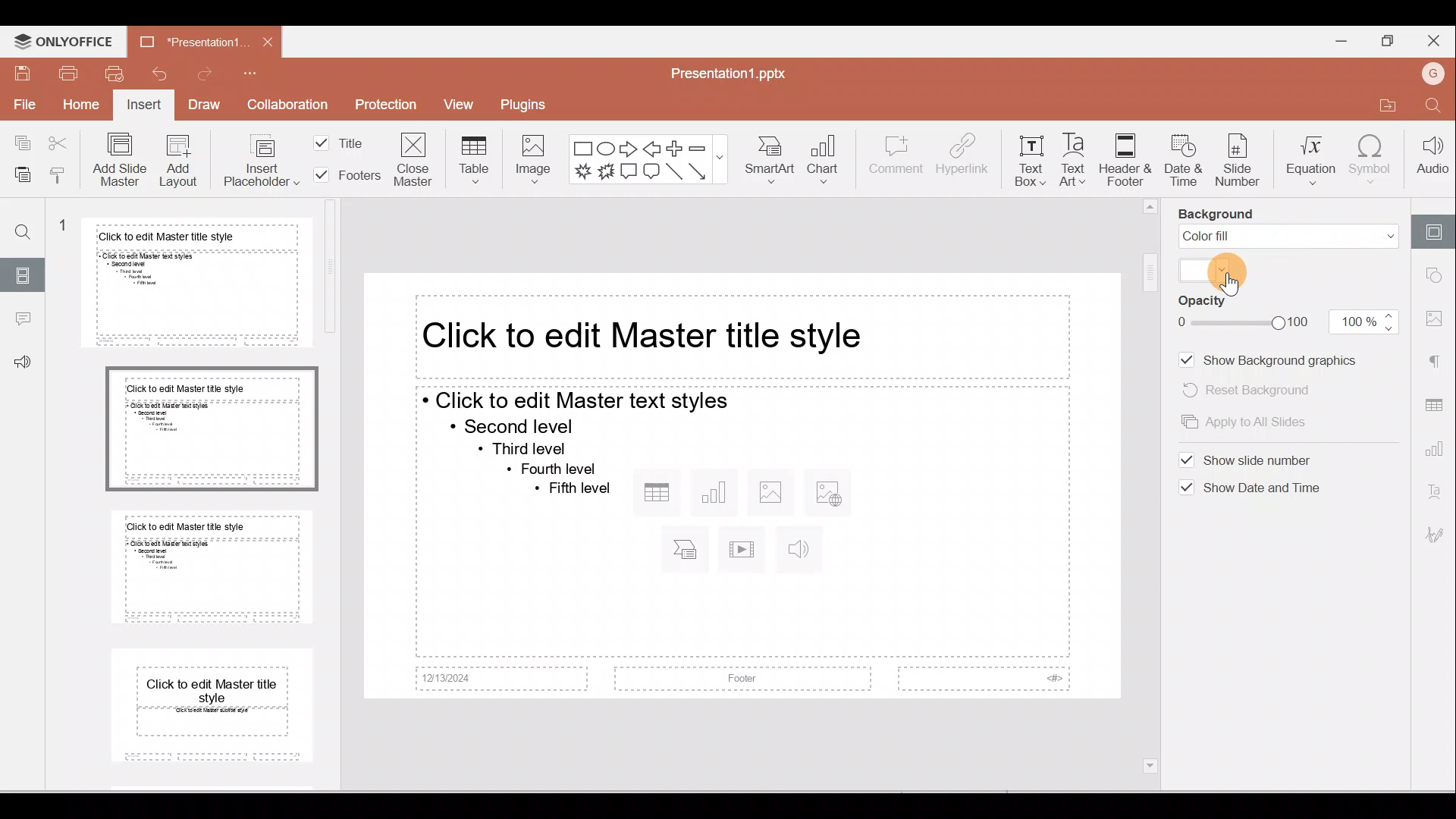 This screenshot has width=1456, height=819. Describe the element at coordinates (532, 158) in the screenshot. I see `Image` at that location.